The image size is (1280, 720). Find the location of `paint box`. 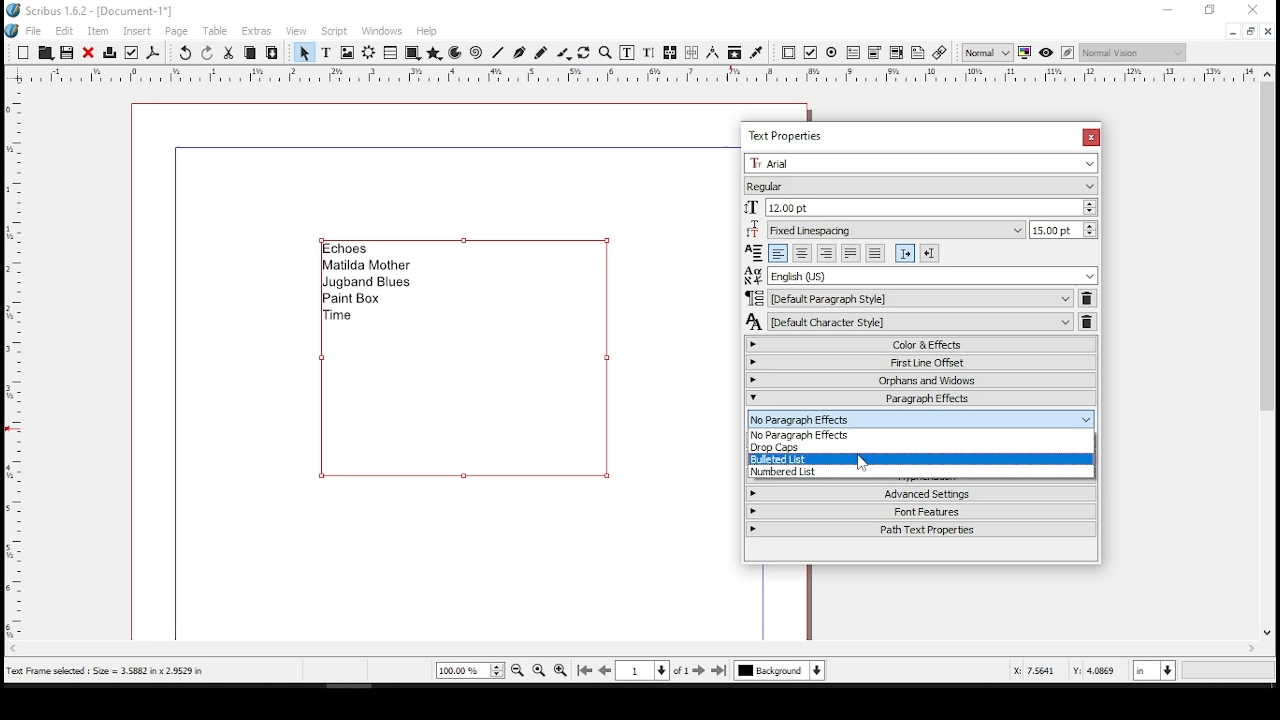

paint box is located at coordinates (358, 299).